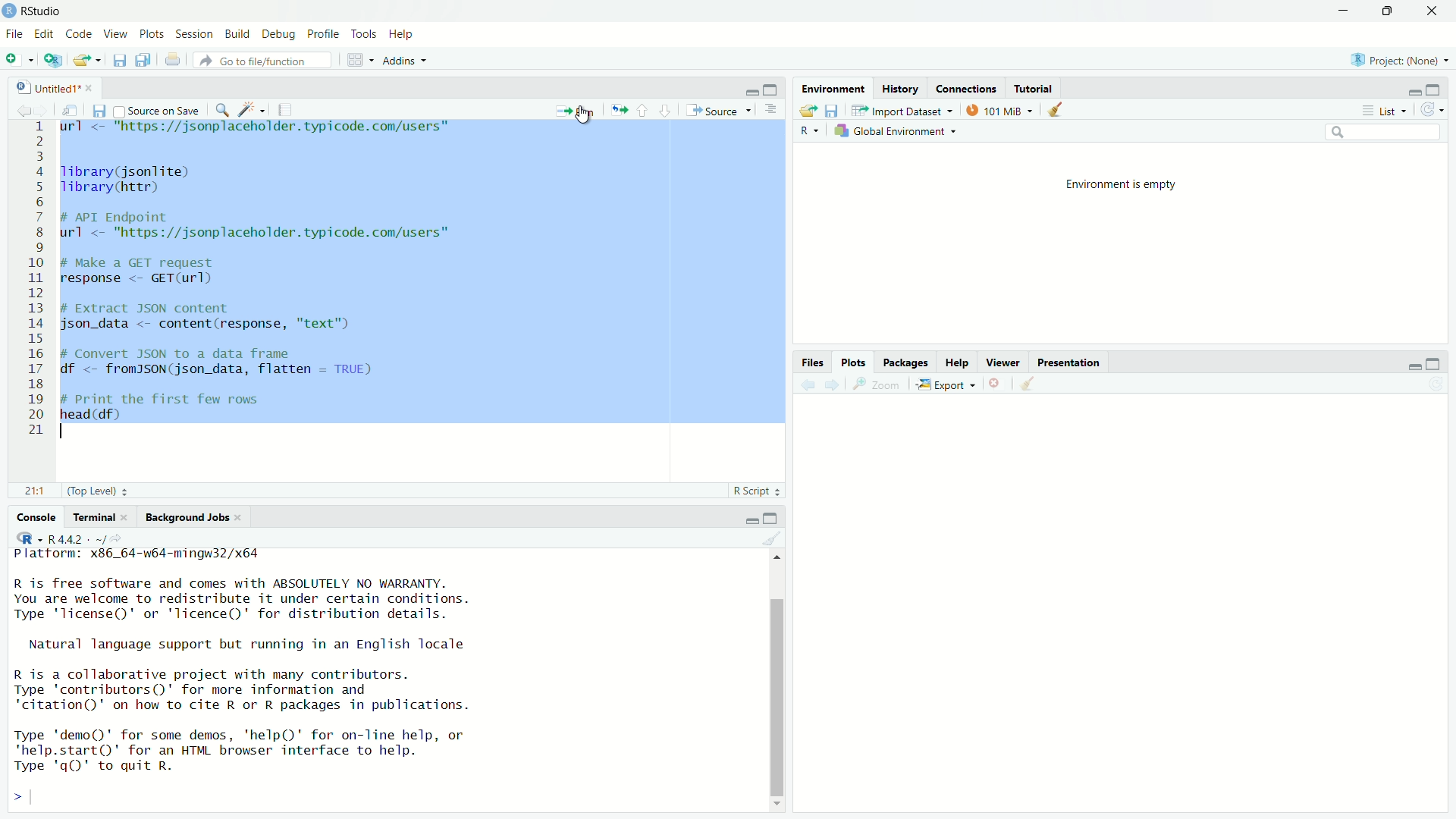 The width and height of the screenshot is (1456, 819). I want to click on Packages, so click(907, 364).